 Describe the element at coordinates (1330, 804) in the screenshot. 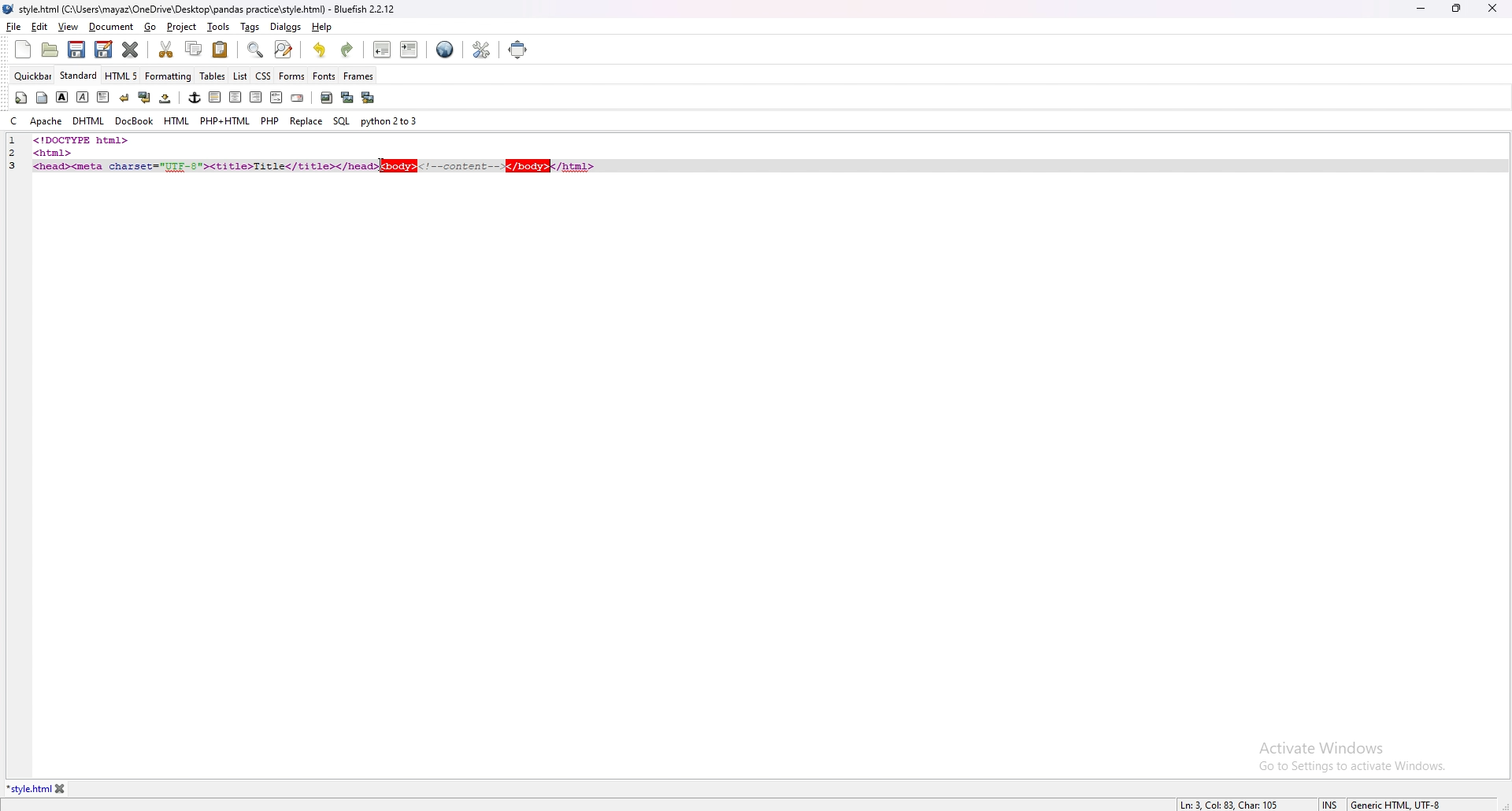

I see `cursor mode` at that location.